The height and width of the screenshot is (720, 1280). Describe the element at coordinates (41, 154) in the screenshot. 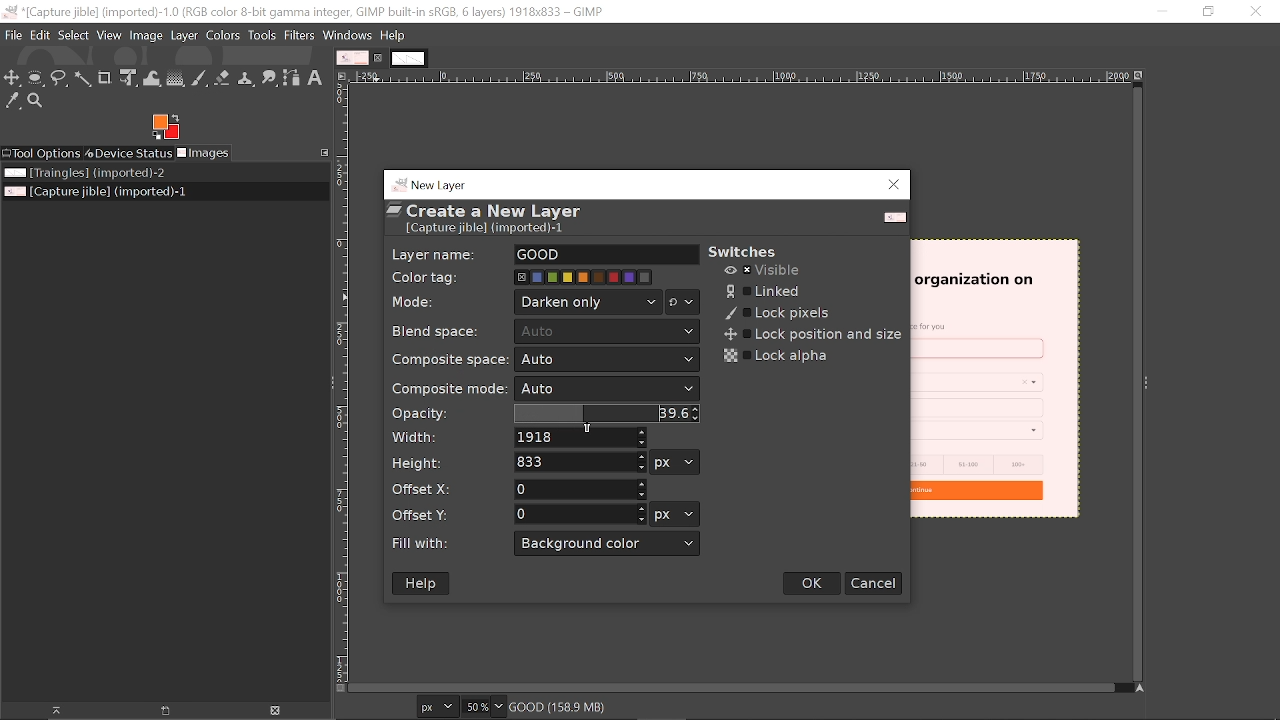

I see `Tool options` at that location.